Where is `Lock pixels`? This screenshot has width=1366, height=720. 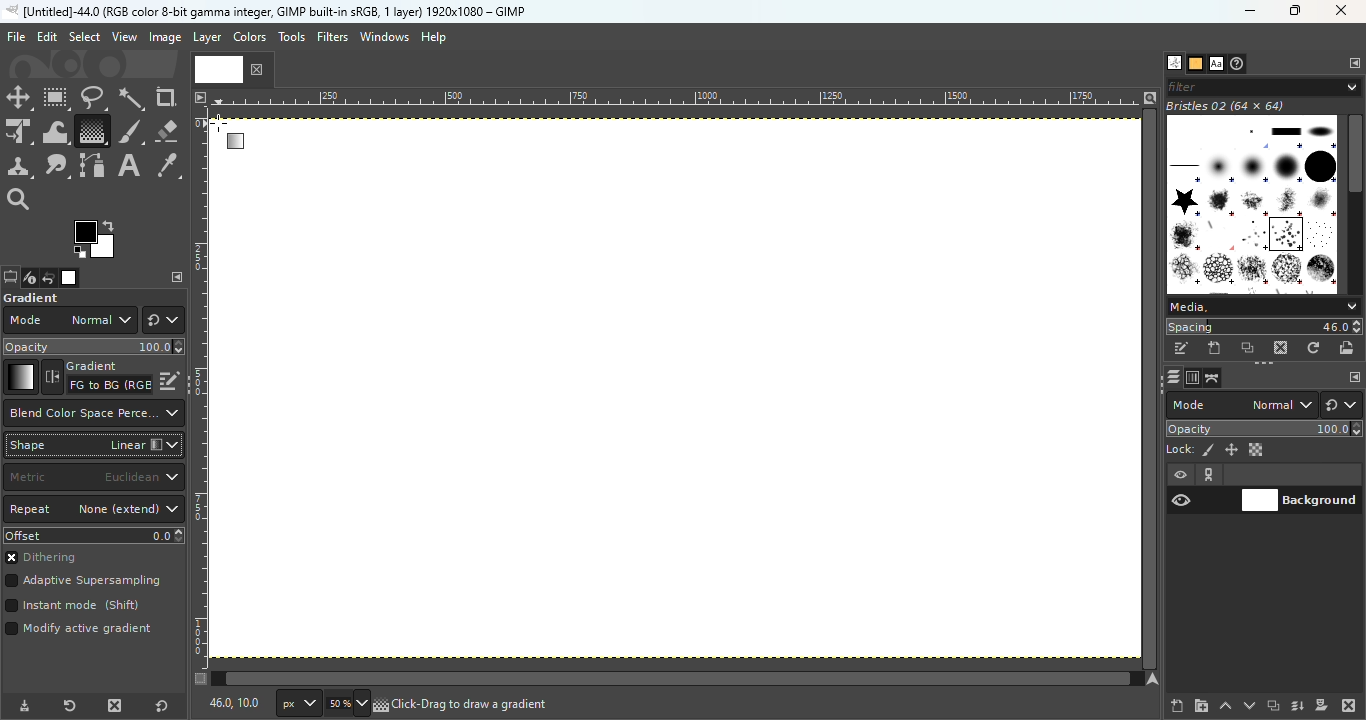
Lock pixels is located at coordinates (1190, 448).